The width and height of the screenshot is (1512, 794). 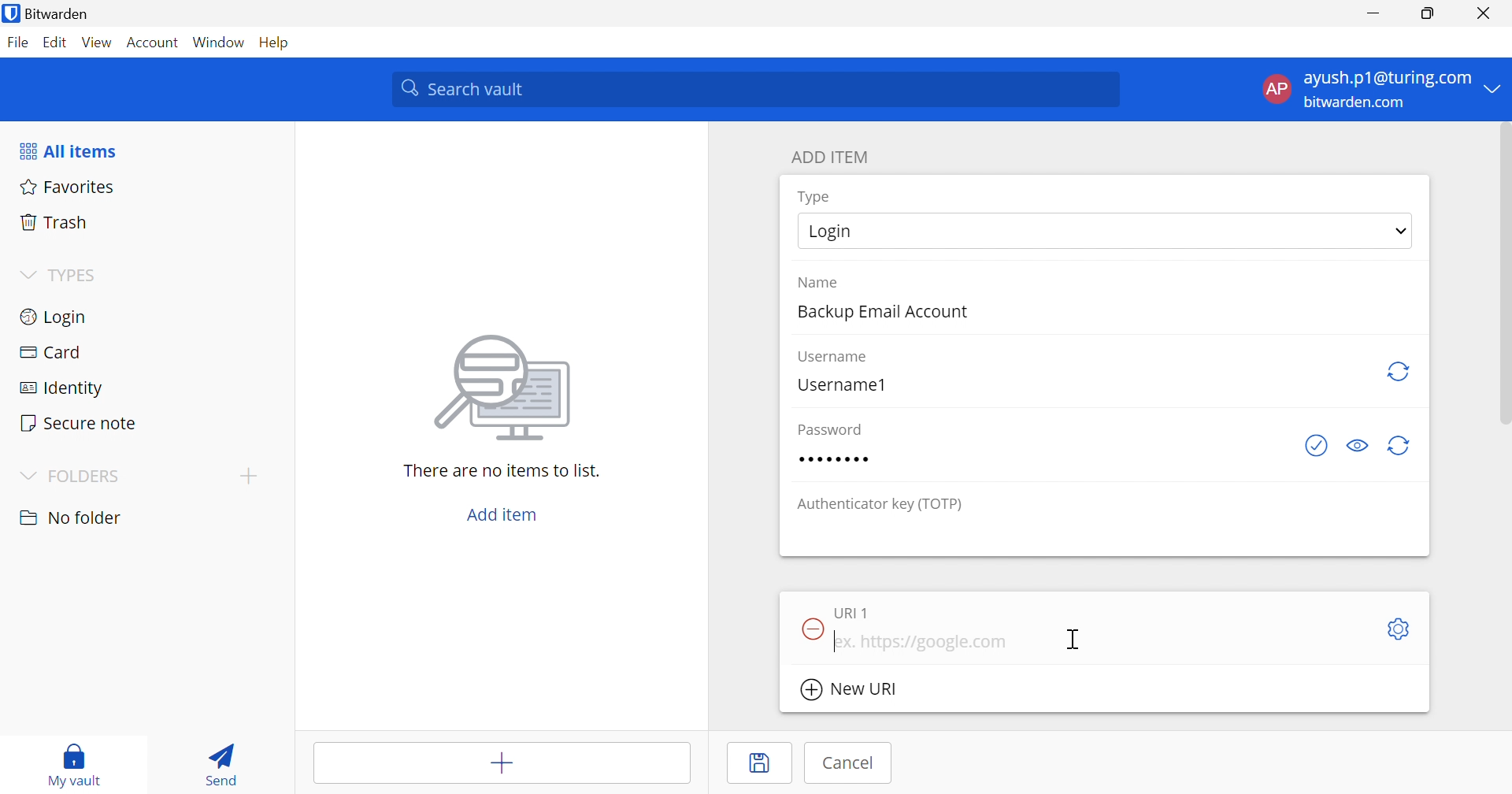 What do you see at coordinates (1403, 447) in the screenshot?
I see `Generate password` at bounding box center [1403, 447].